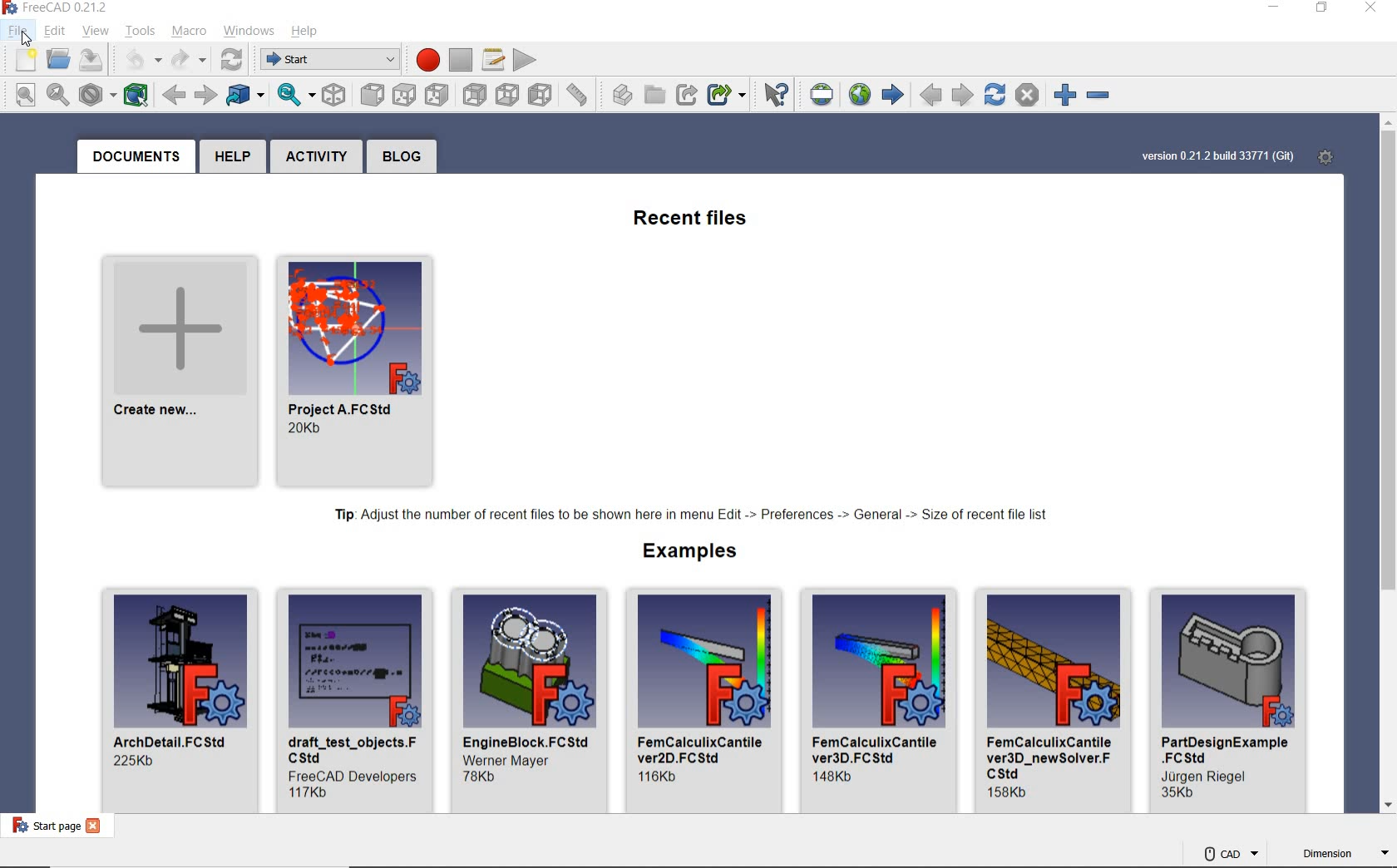  Describe the element at coordinates (540, 91) in the screenshot. I see `LEFT` at that location.